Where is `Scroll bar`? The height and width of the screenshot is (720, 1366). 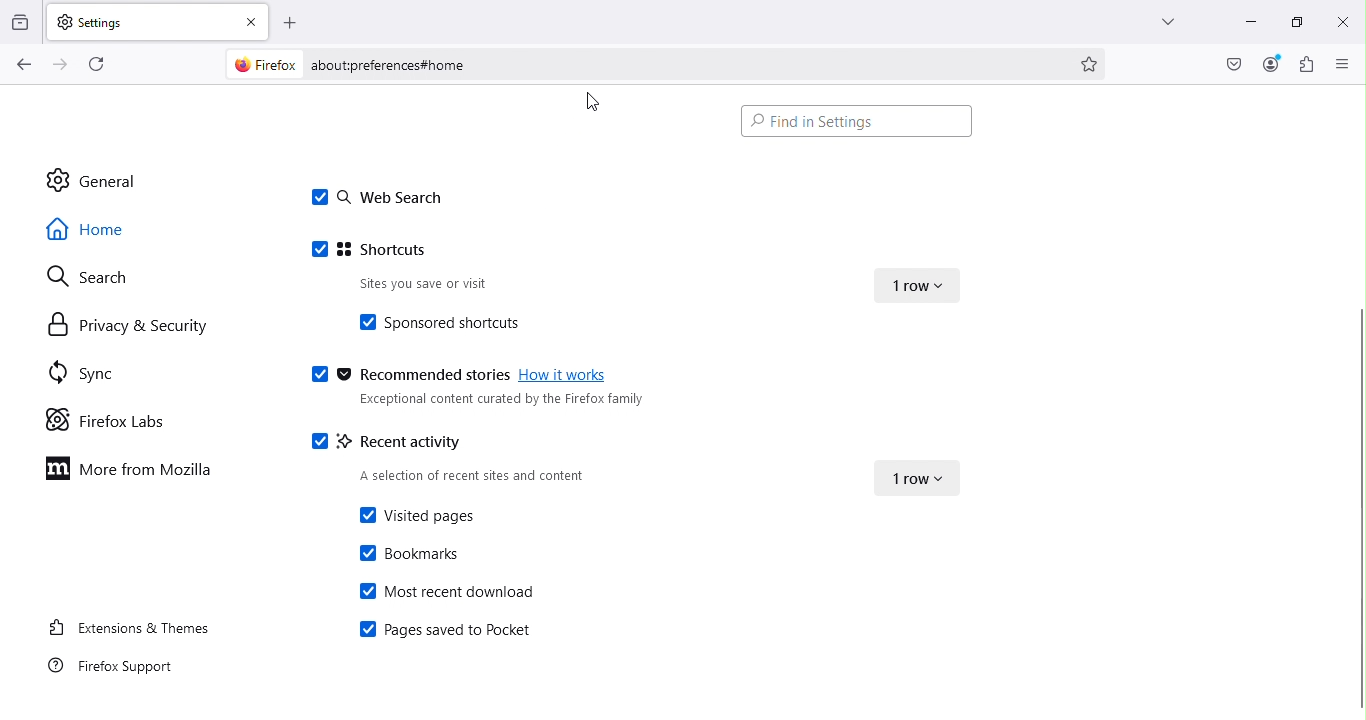
Scroll bar is located at coordinates (1357, 508).